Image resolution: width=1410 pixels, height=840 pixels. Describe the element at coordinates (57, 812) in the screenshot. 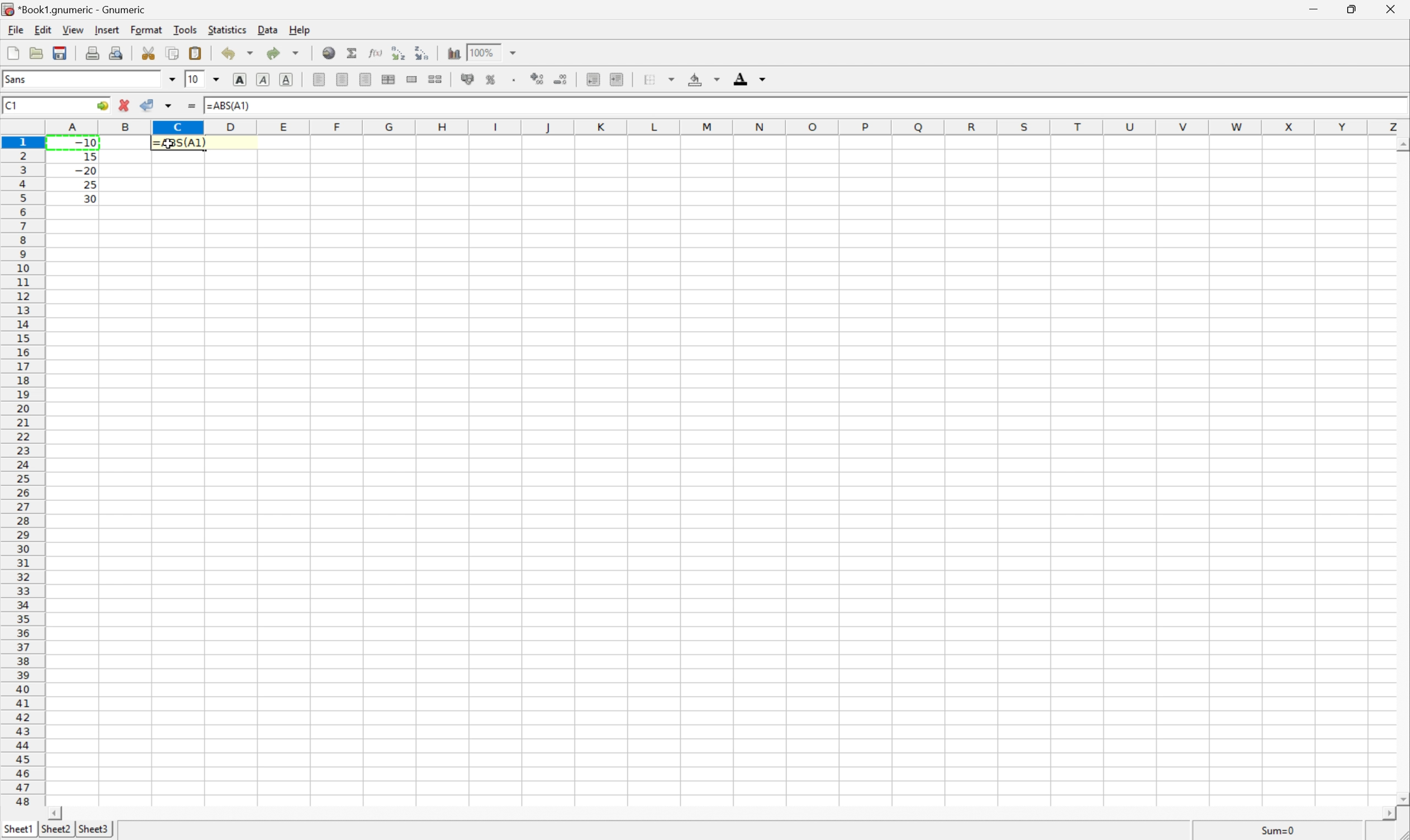

I see `Scroll left` at that location.